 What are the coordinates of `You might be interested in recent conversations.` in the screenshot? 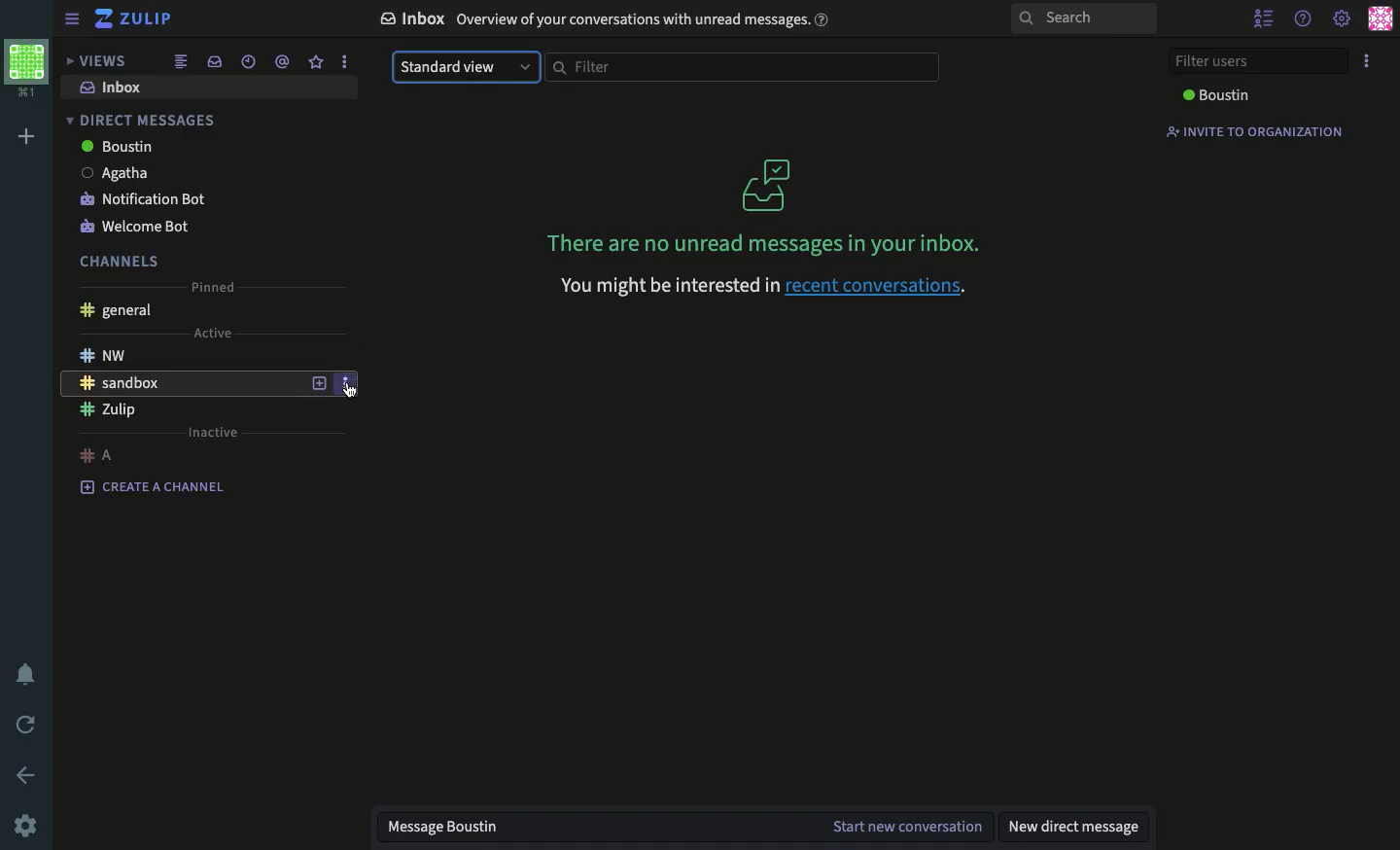 It's located at (767, 288).